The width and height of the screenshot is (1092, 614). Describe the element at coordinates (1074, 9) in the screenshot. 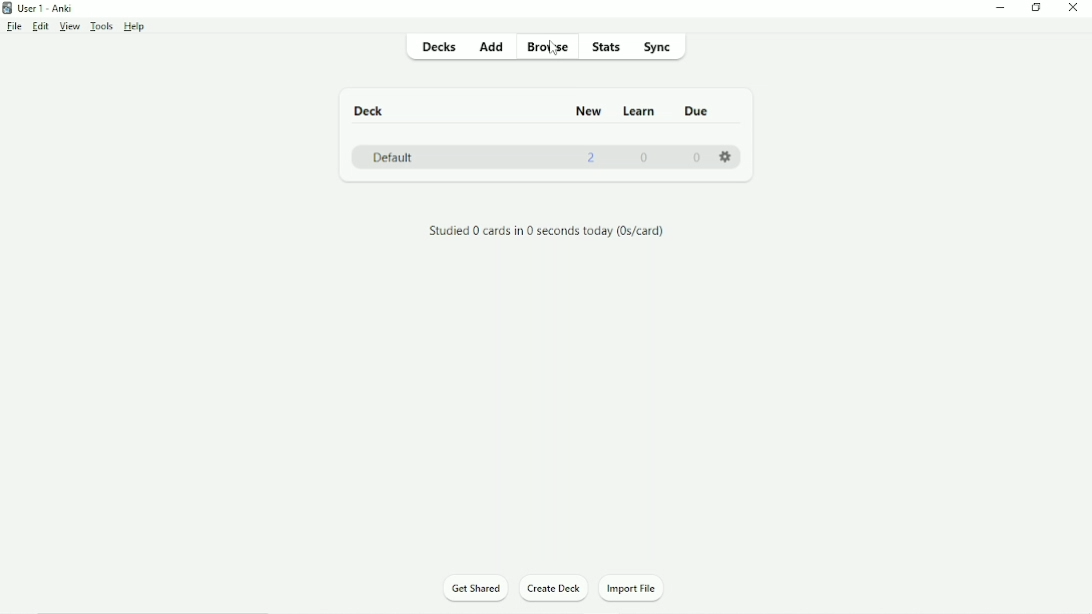

I see `Close` at that location.